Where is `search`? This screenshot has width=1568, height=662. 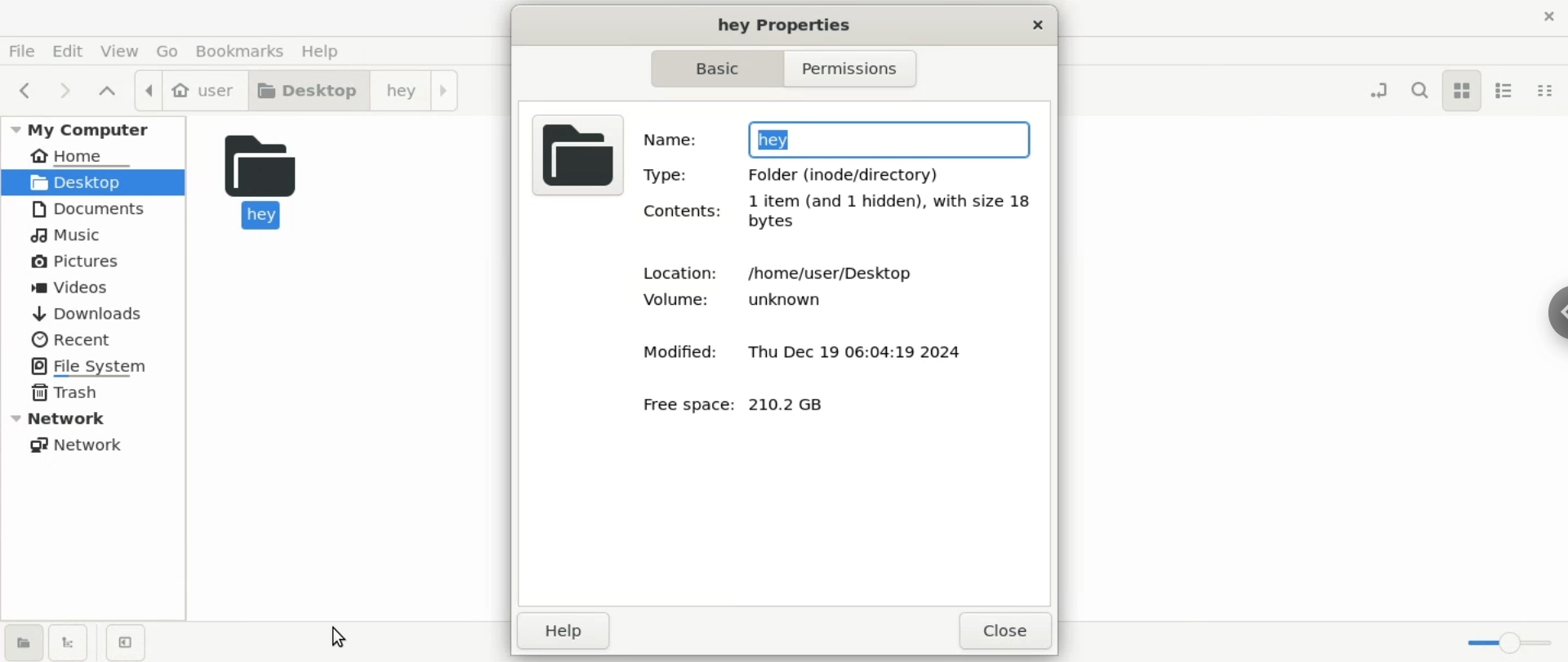 search is located at coordinates (1422, 91).